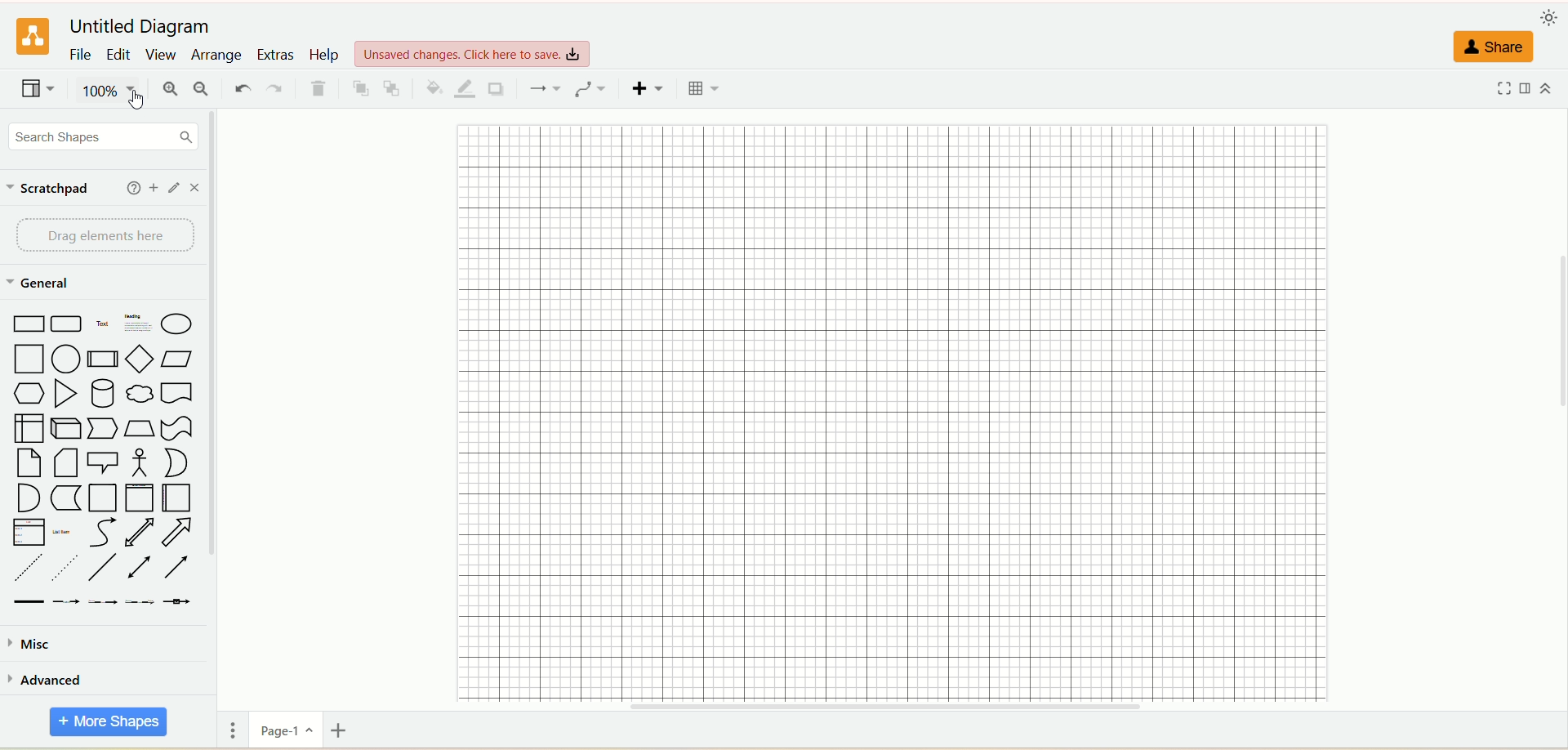  I want to click on help, so click(324, 56).